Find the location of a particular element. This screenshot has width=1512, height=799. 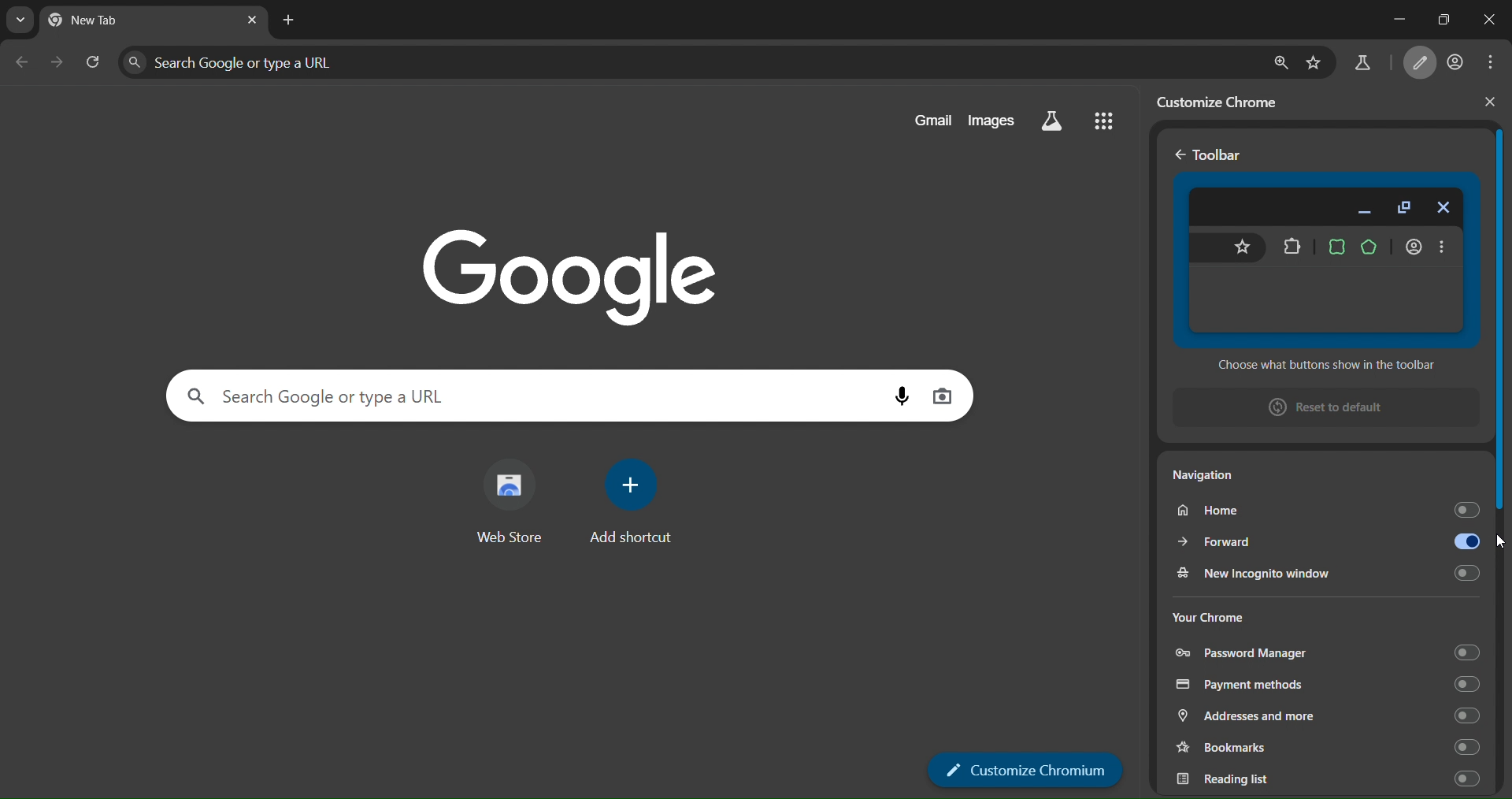

search tabs is located at coordinates (22, 21).